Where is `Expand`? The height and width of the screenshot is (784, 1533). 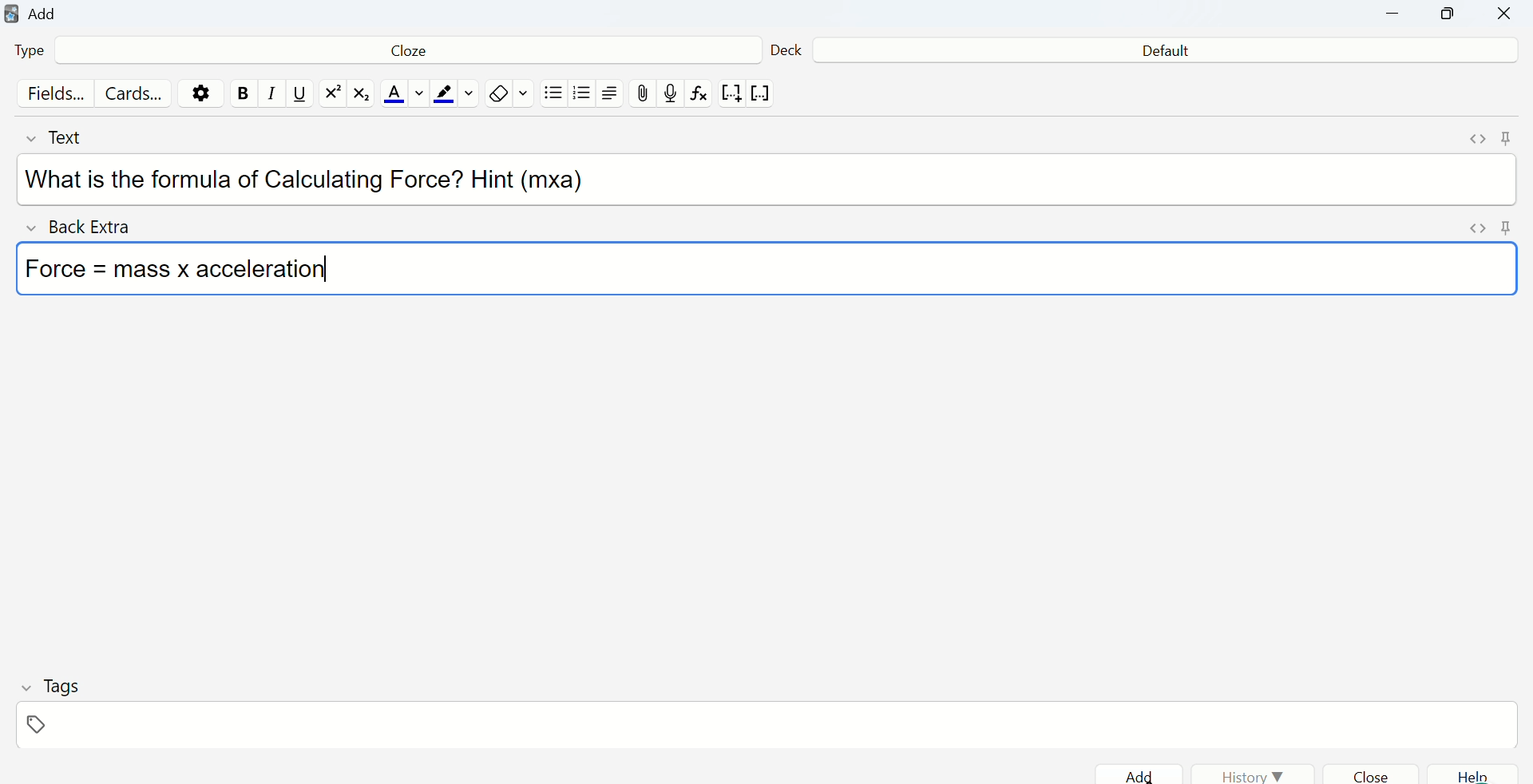 Expand is located at coordinates (1474, 140).